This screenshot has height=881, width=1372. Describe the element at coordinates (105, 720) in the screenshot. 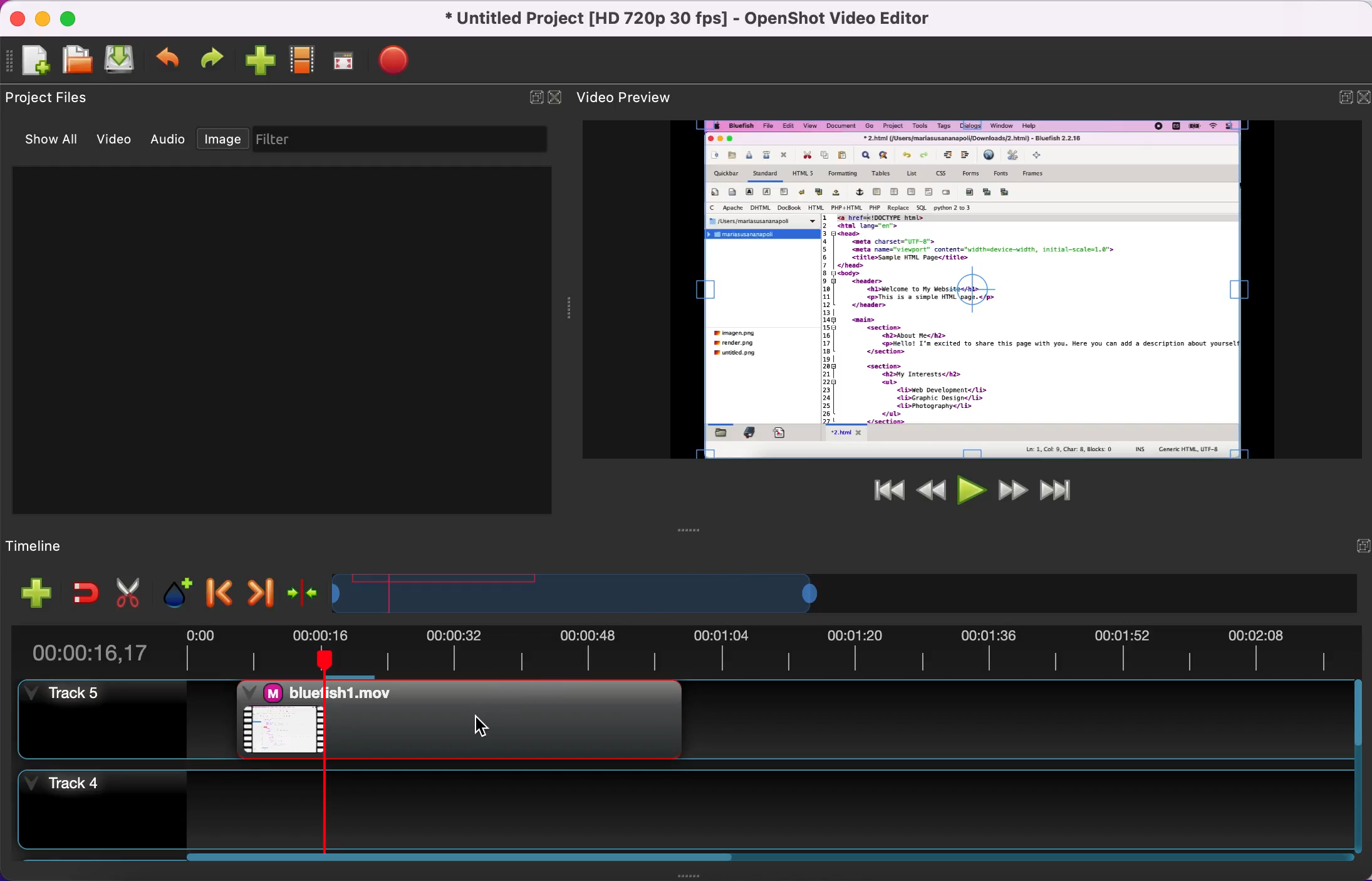

I see `track 5` at that location.